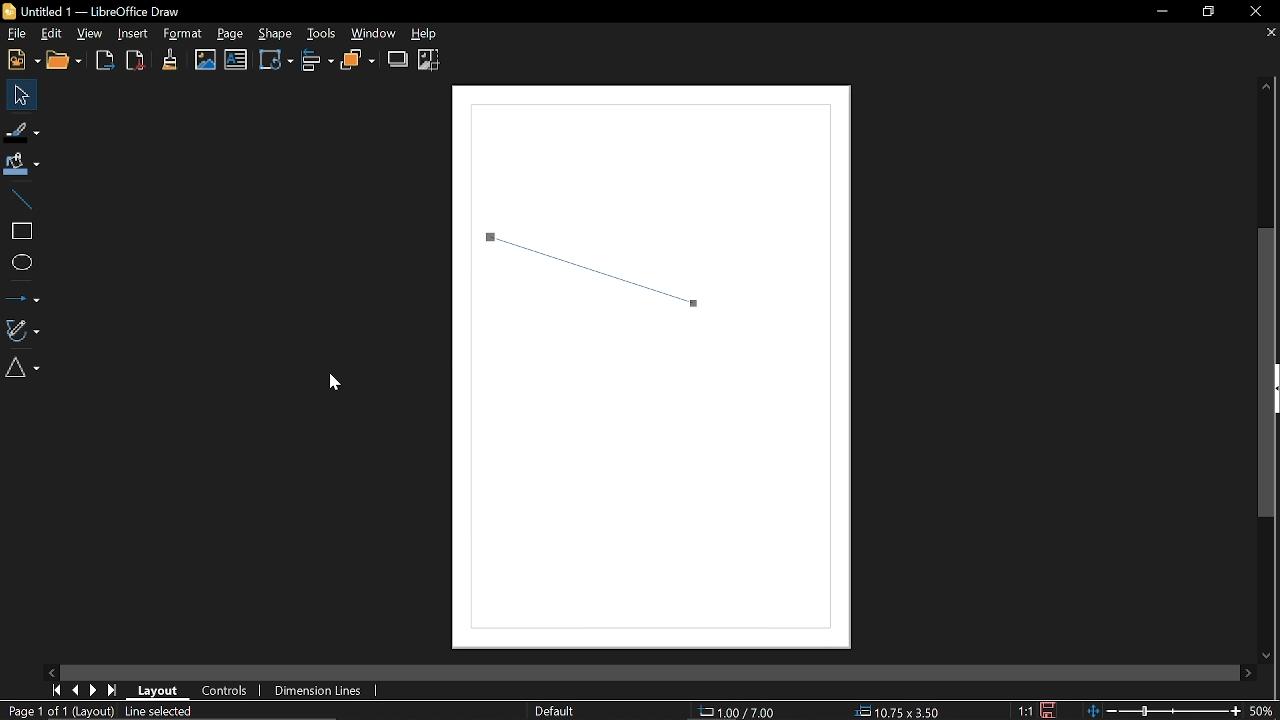  Describe the element at coordinates (321, 34) in the screenshot. I see `Tools` at that location.